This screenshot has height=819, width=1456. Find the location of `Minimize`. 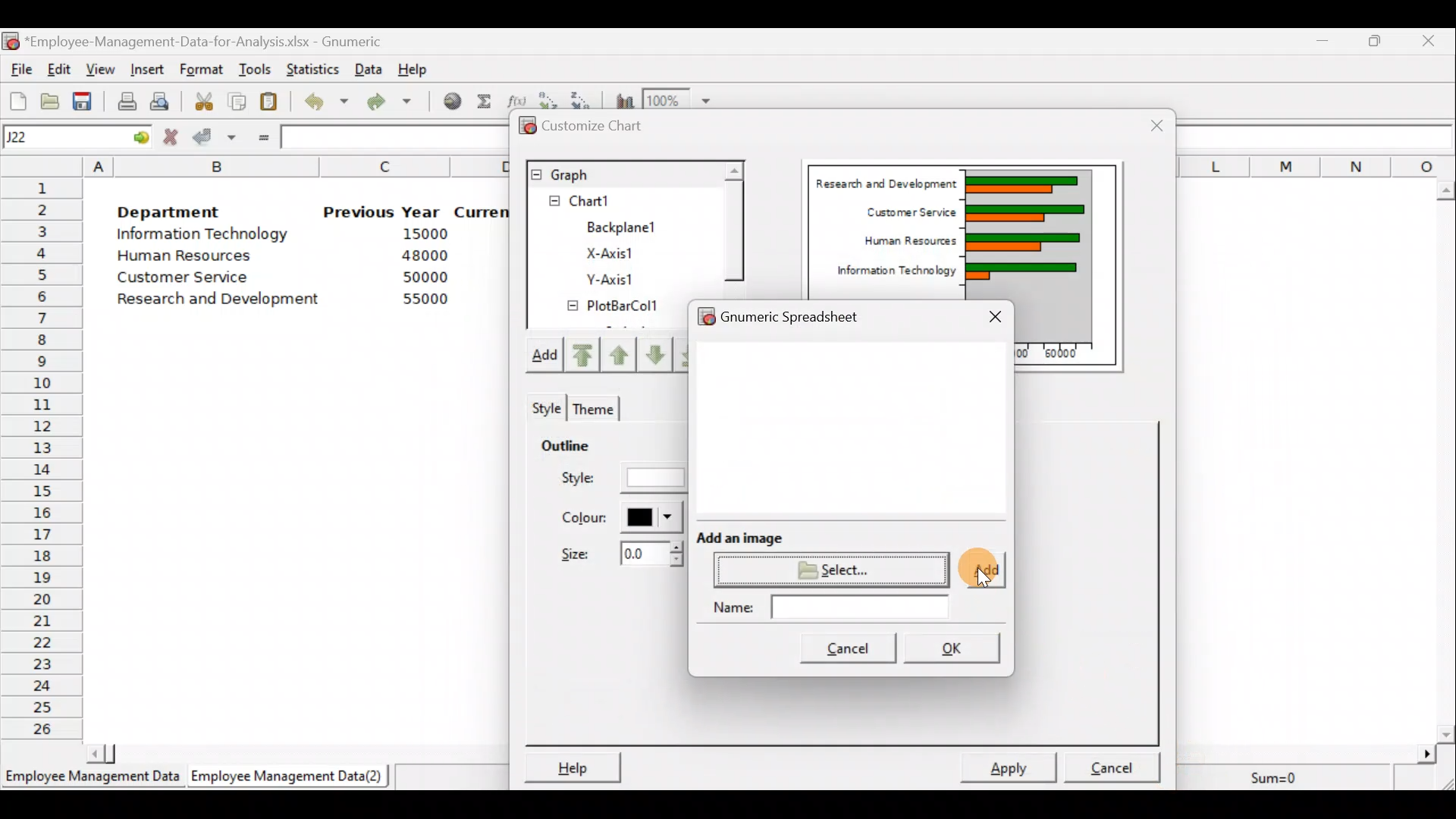

Minimize is located at coordinates (1323, 40).